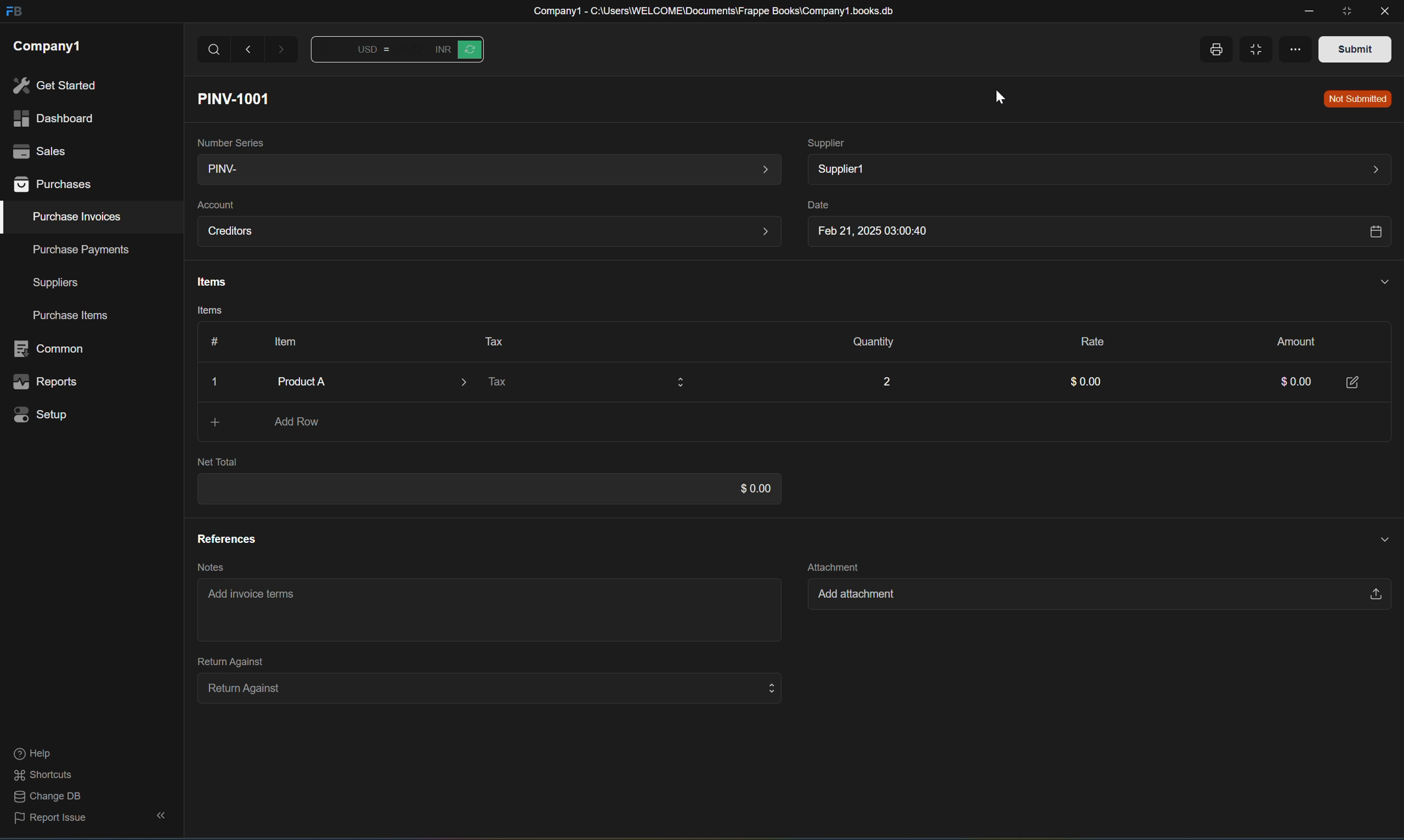  What do you see at coordinates (54, 186) in the screenshot?
I see `purchases` at bounding box center [54, 186].